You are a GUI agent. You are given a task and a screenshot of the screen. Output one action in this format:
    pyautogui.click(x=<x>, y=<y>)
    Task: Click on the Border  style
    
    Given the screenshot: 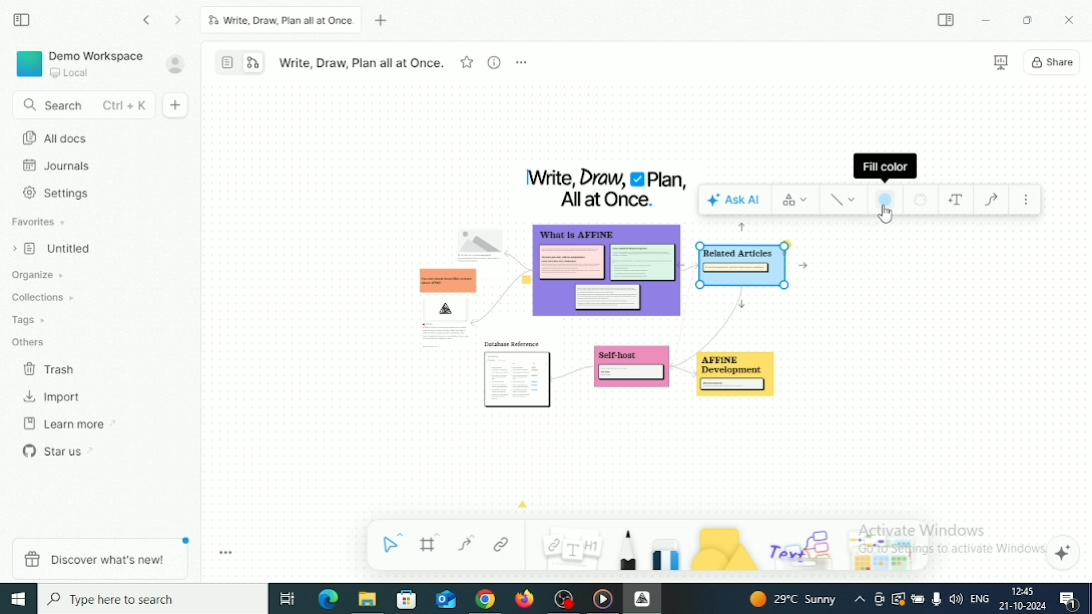 What is the action you would take?
    pyautogui.click(x=920, y=200)
    